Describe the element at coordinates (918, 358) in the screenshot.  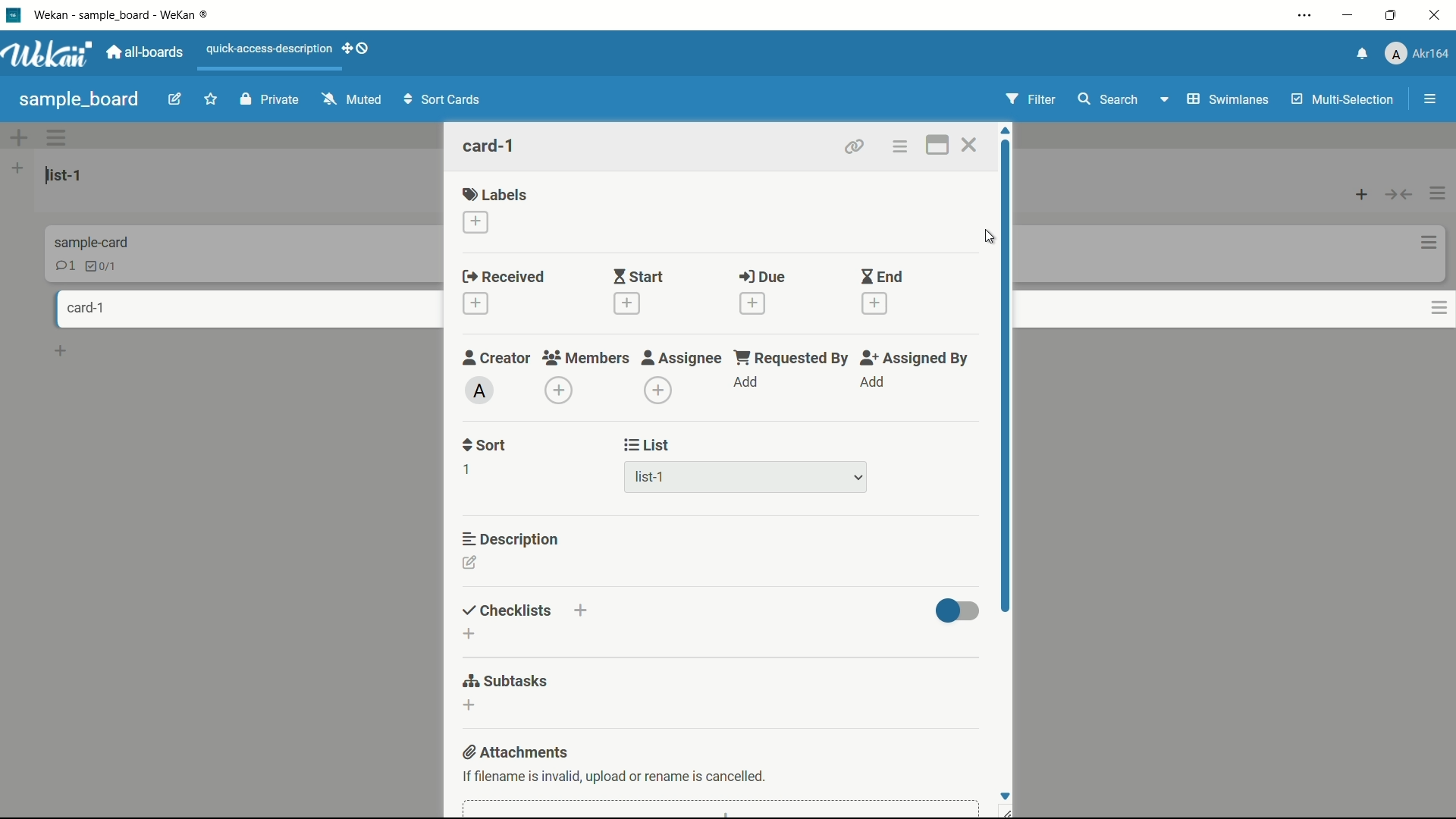
I see `assigned by` at that location.